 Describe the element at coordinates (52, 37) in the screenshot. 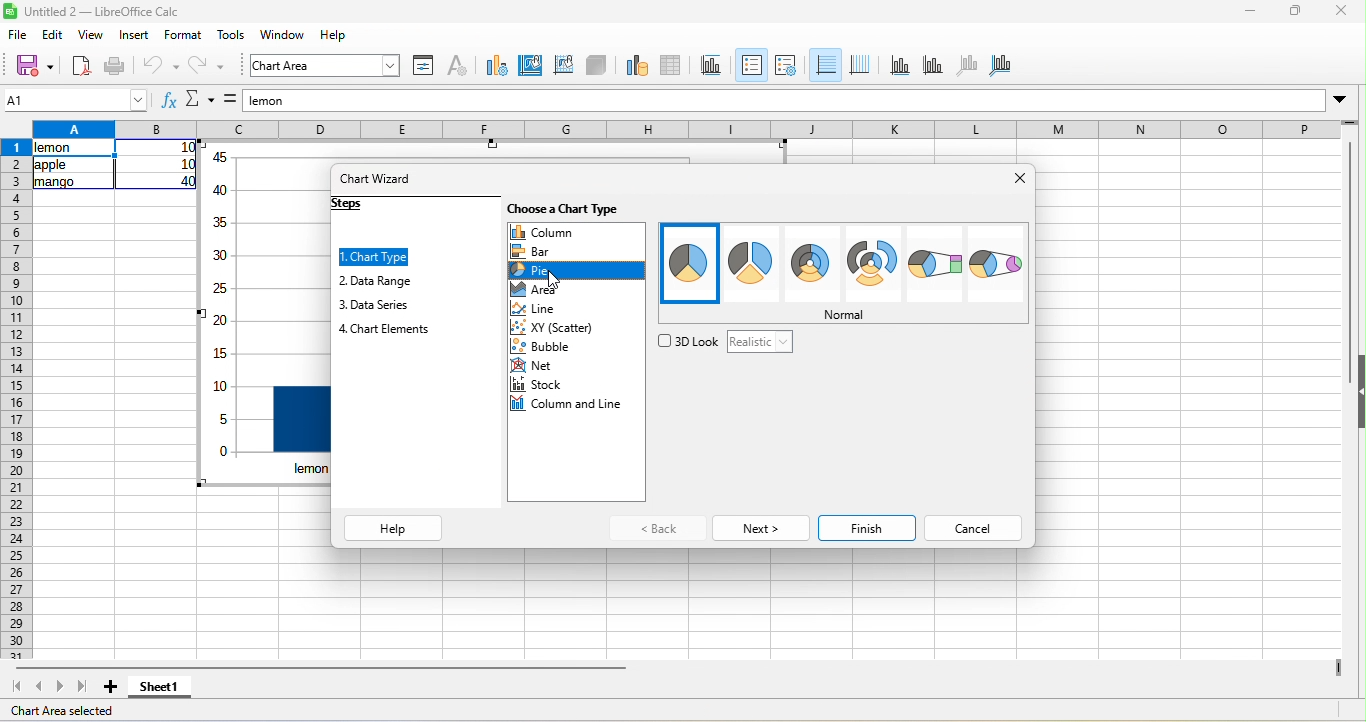

I see `edit` at that location.